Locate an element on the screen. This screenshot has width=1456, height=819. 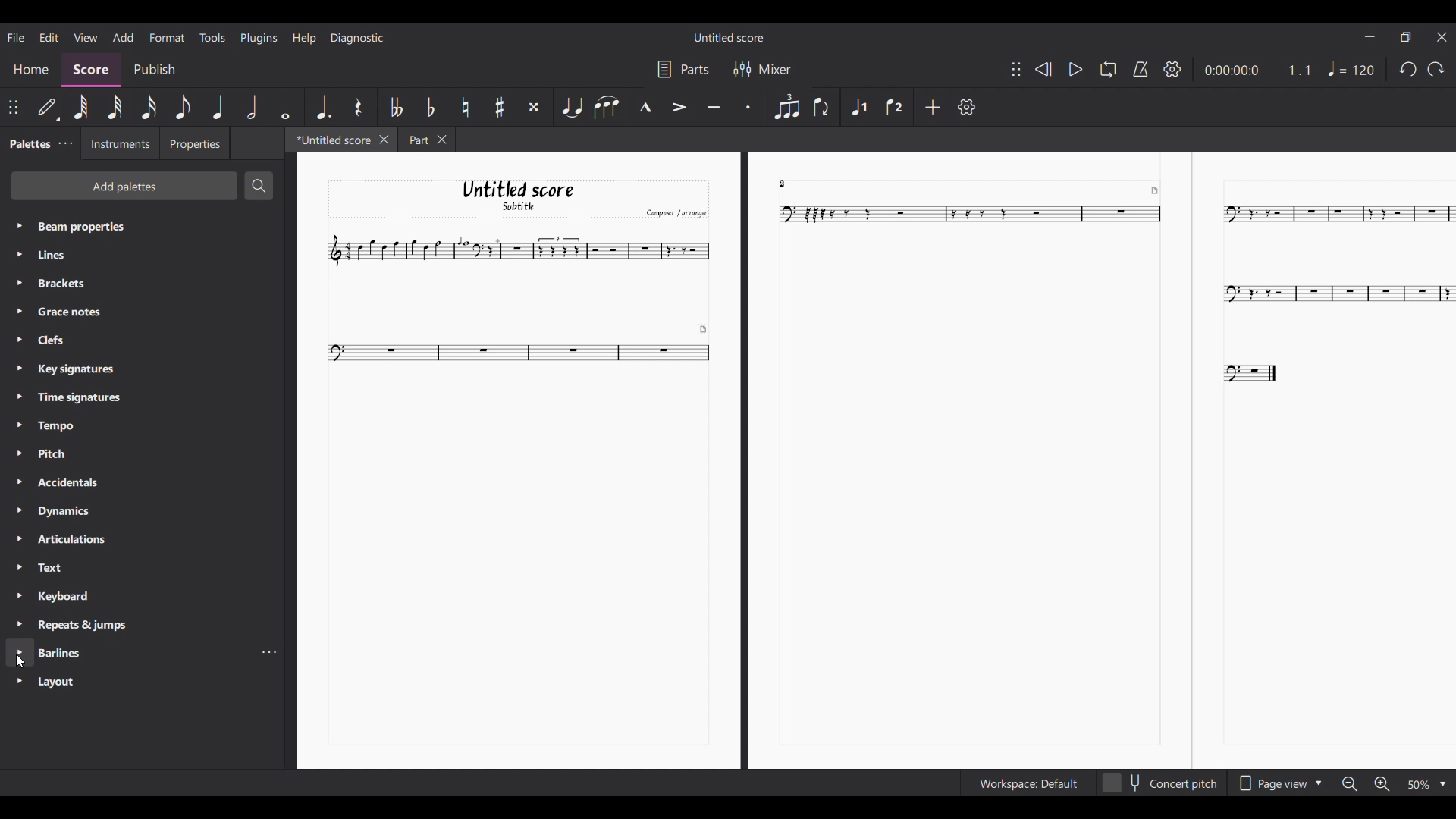
Palette settings is located at coordinates (67, 396).